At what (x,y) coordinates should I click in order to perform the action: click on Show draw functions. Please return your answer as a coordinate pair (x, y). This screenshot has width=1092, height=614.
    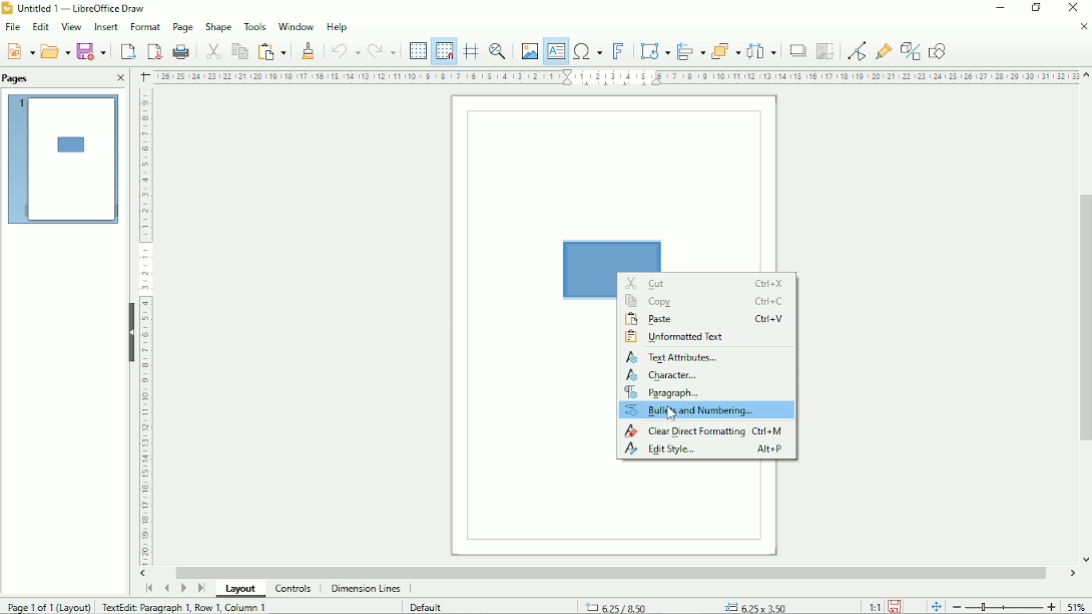
    Looking at the image, I should click on (939, 50).